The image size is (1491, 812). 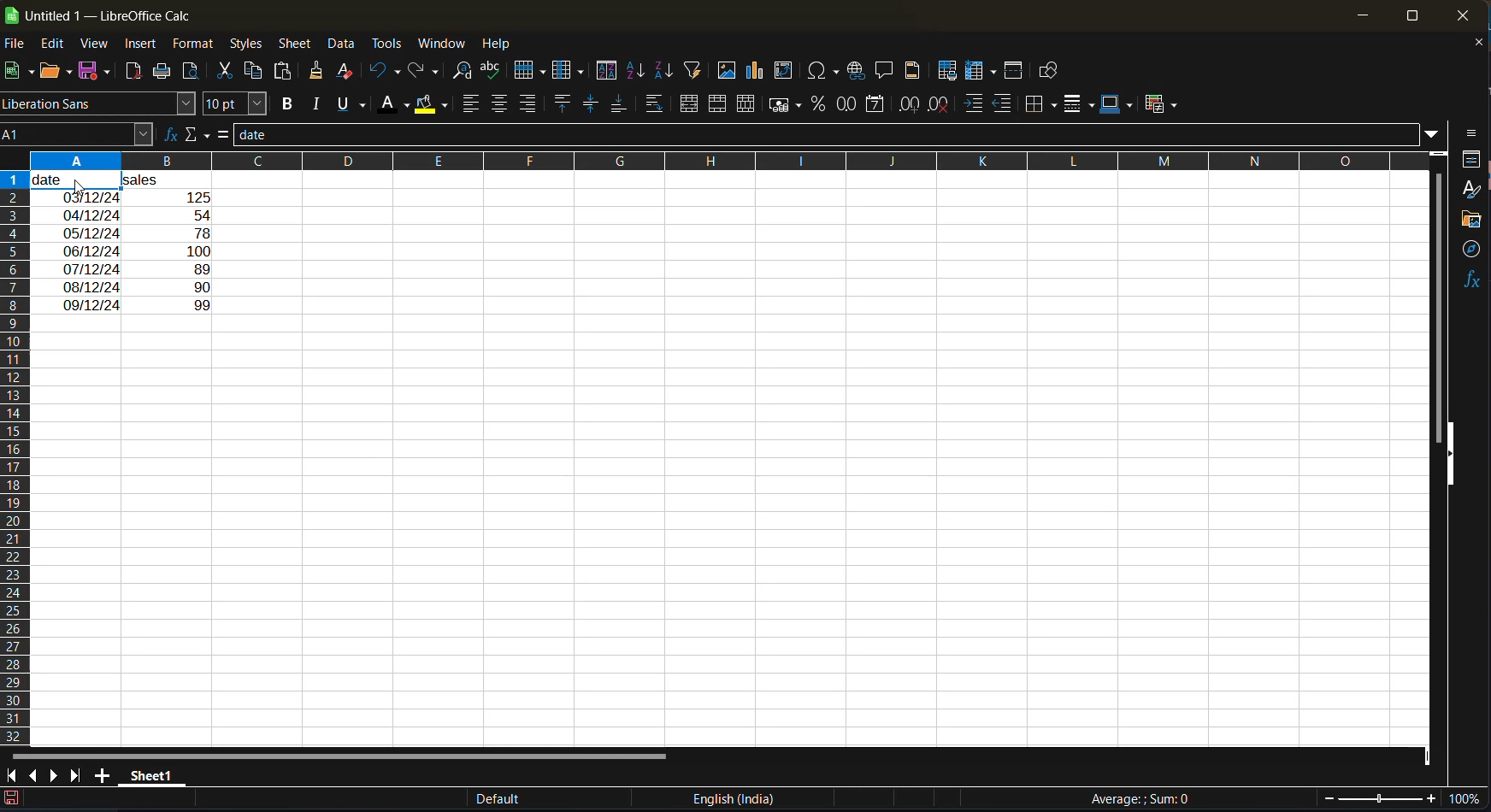 I want to click on align bottom, so click(x=619, y=105).